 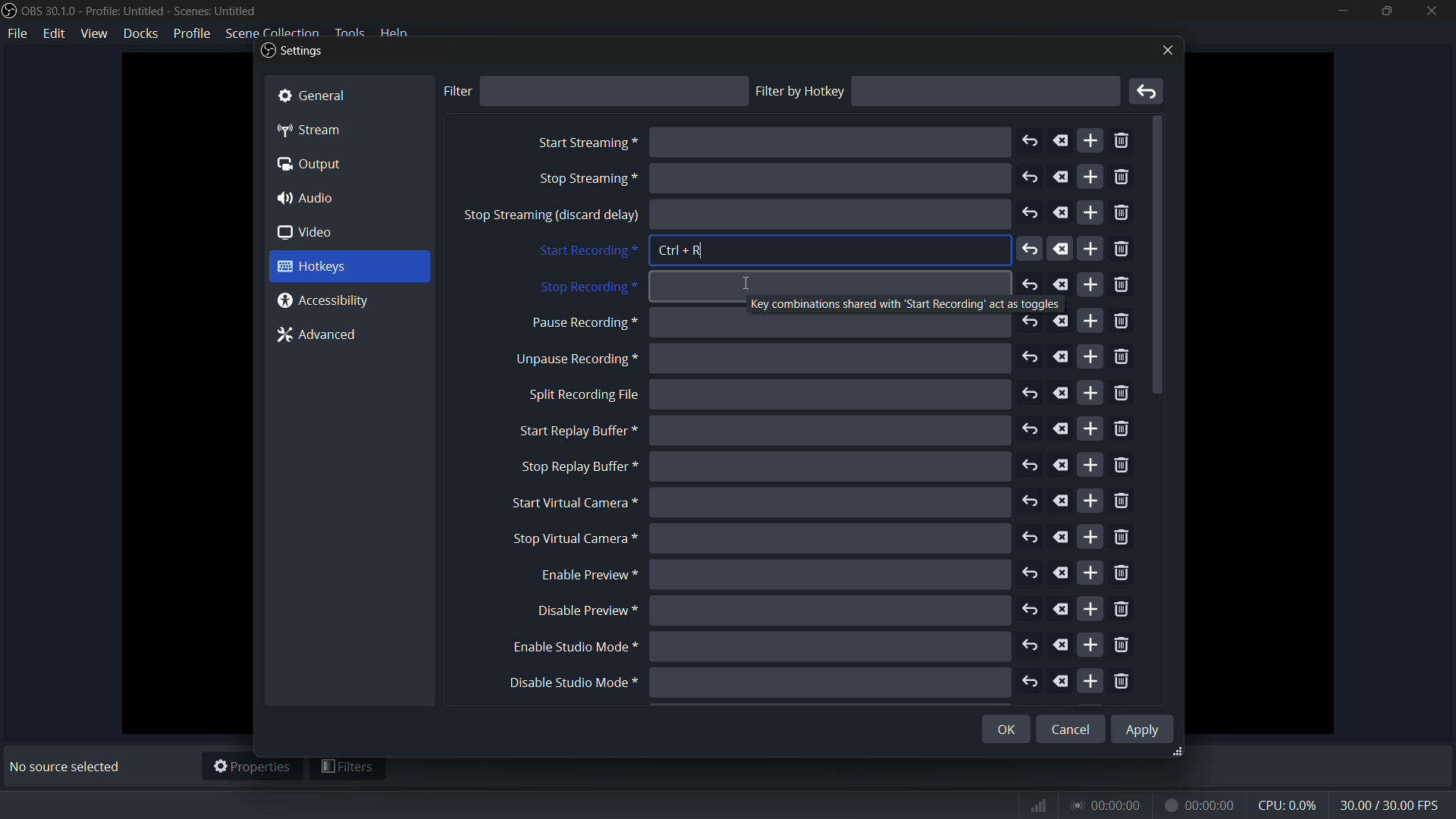 I want to click on add more, so click(x=1090, y=213).